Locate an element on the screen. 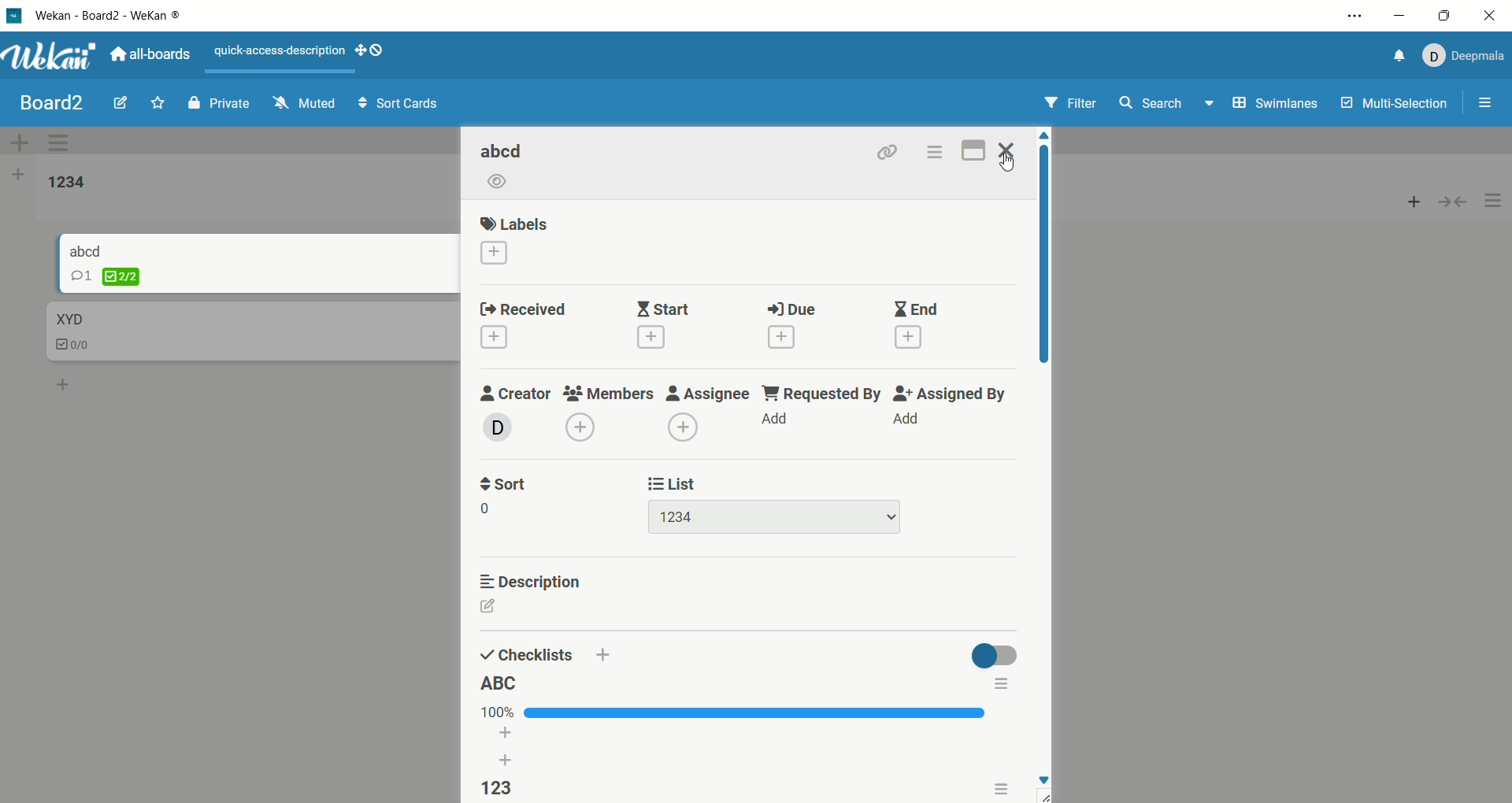 Image resolution: width=1512 pixels, height=803 pixels. card title is located at coordinates (507, 151).